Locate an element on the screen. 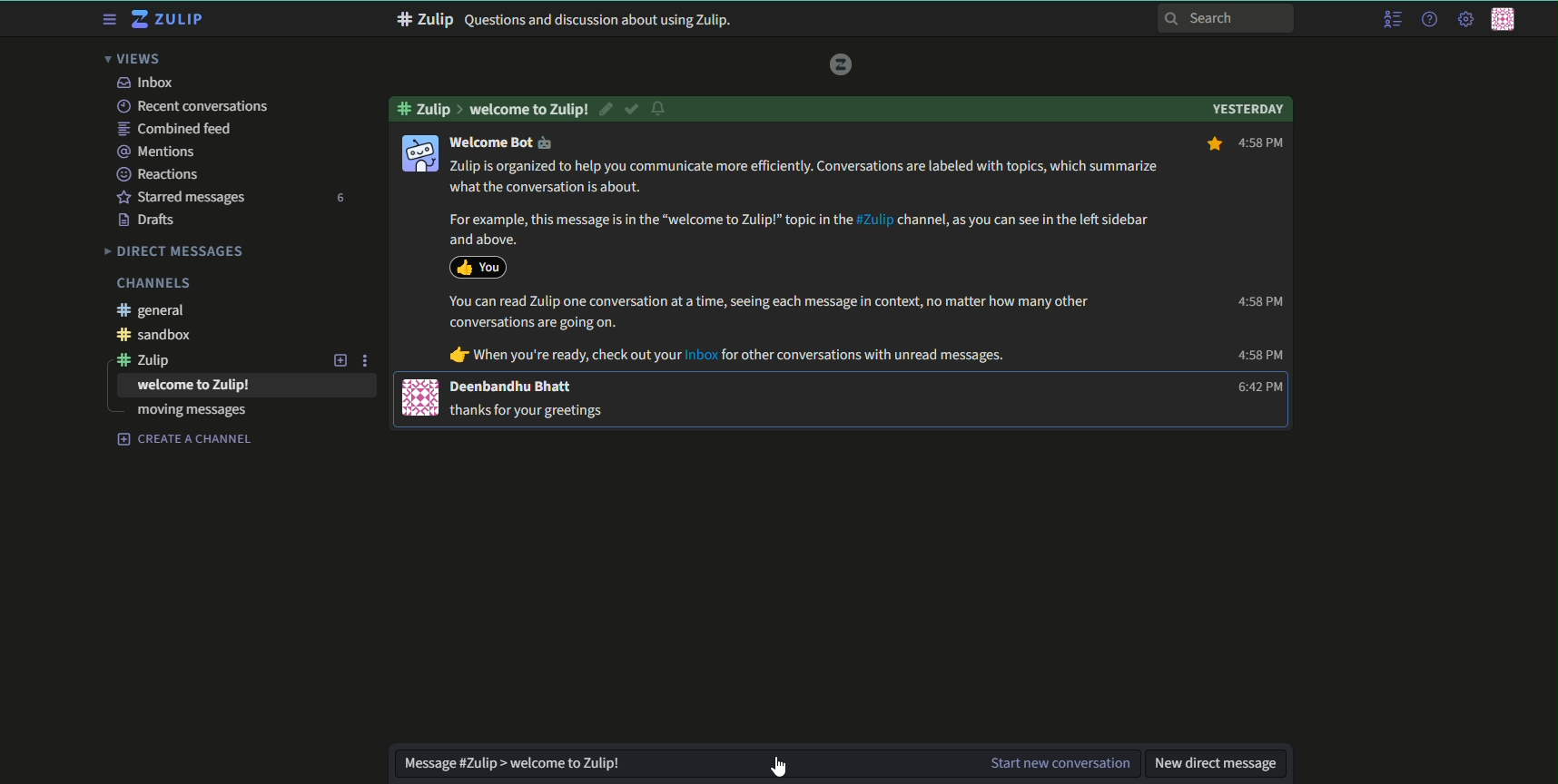 The height and width of the screenshot is (784, 1558). moving messages is located at coordinates (192, 412).